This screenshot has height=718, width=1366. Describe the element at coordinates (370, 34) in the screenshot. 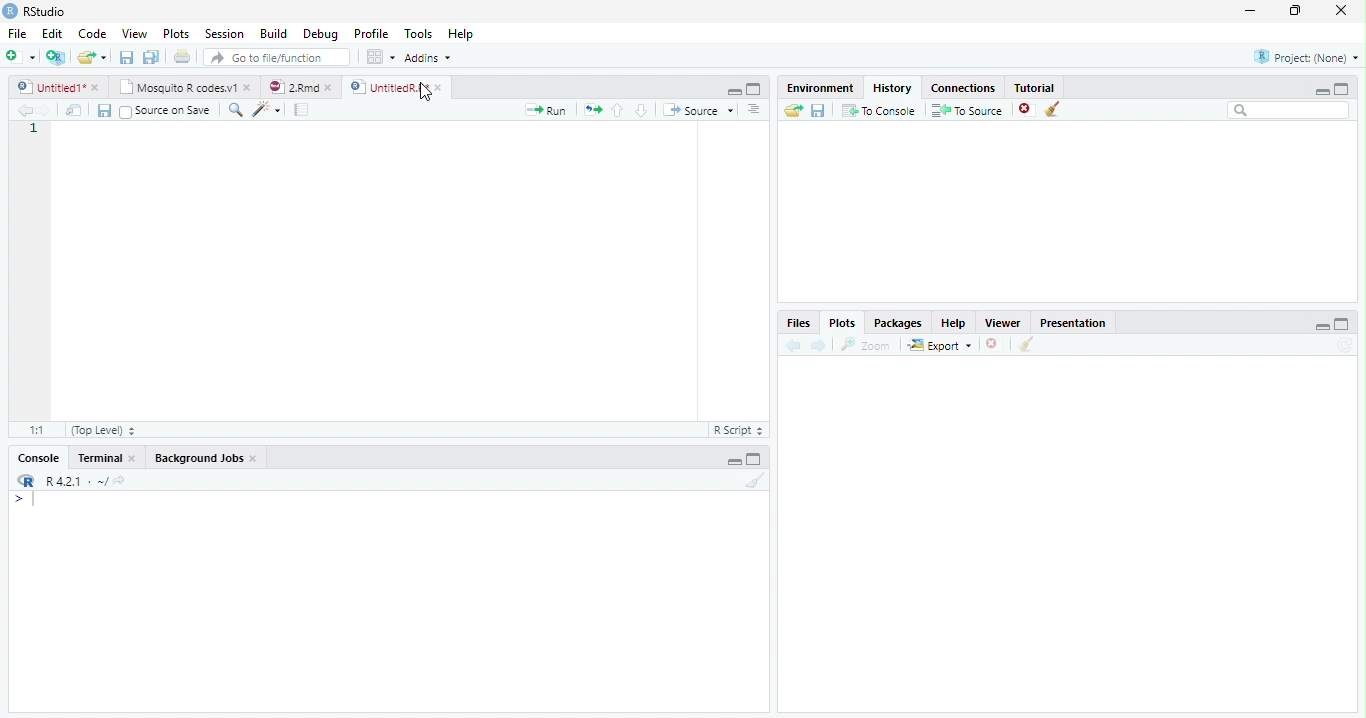

I see `Profile` at that location.